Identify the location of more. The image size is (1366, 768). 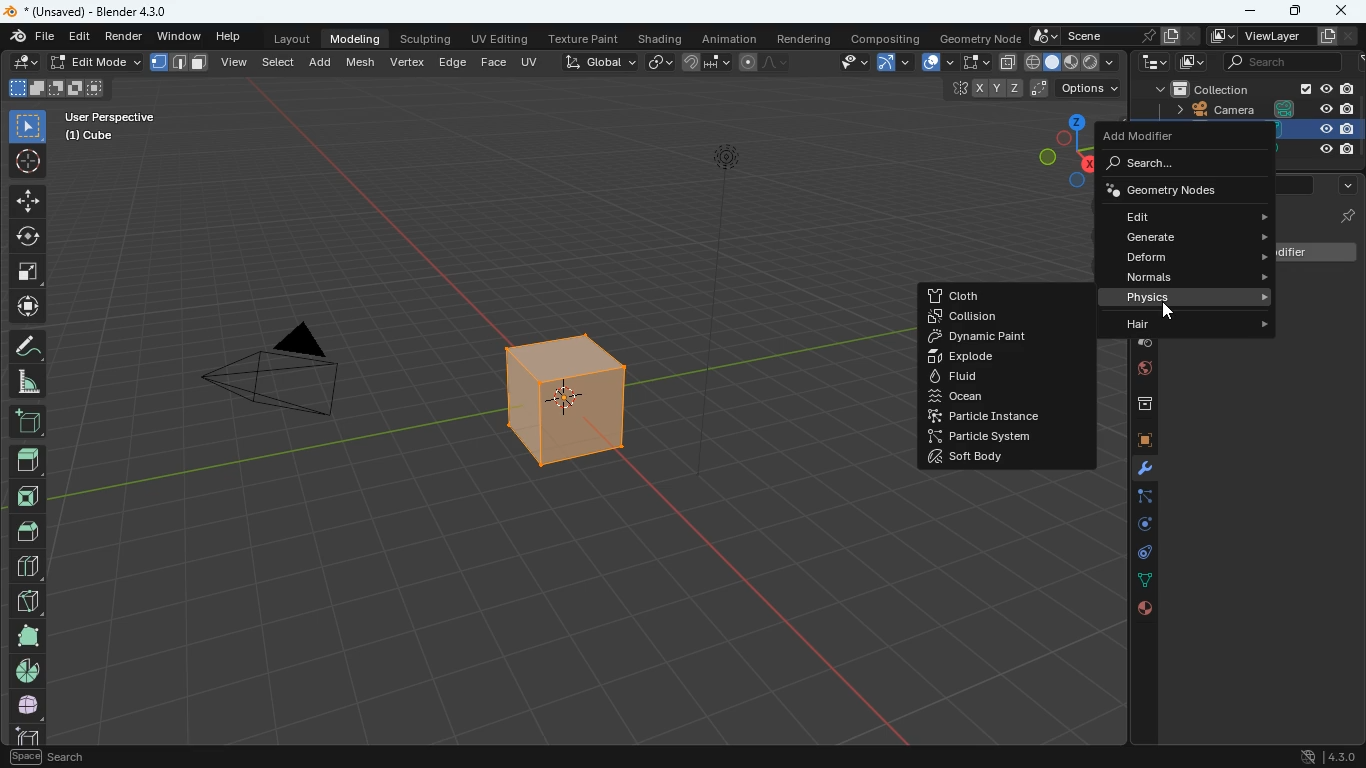
(1346, 182).